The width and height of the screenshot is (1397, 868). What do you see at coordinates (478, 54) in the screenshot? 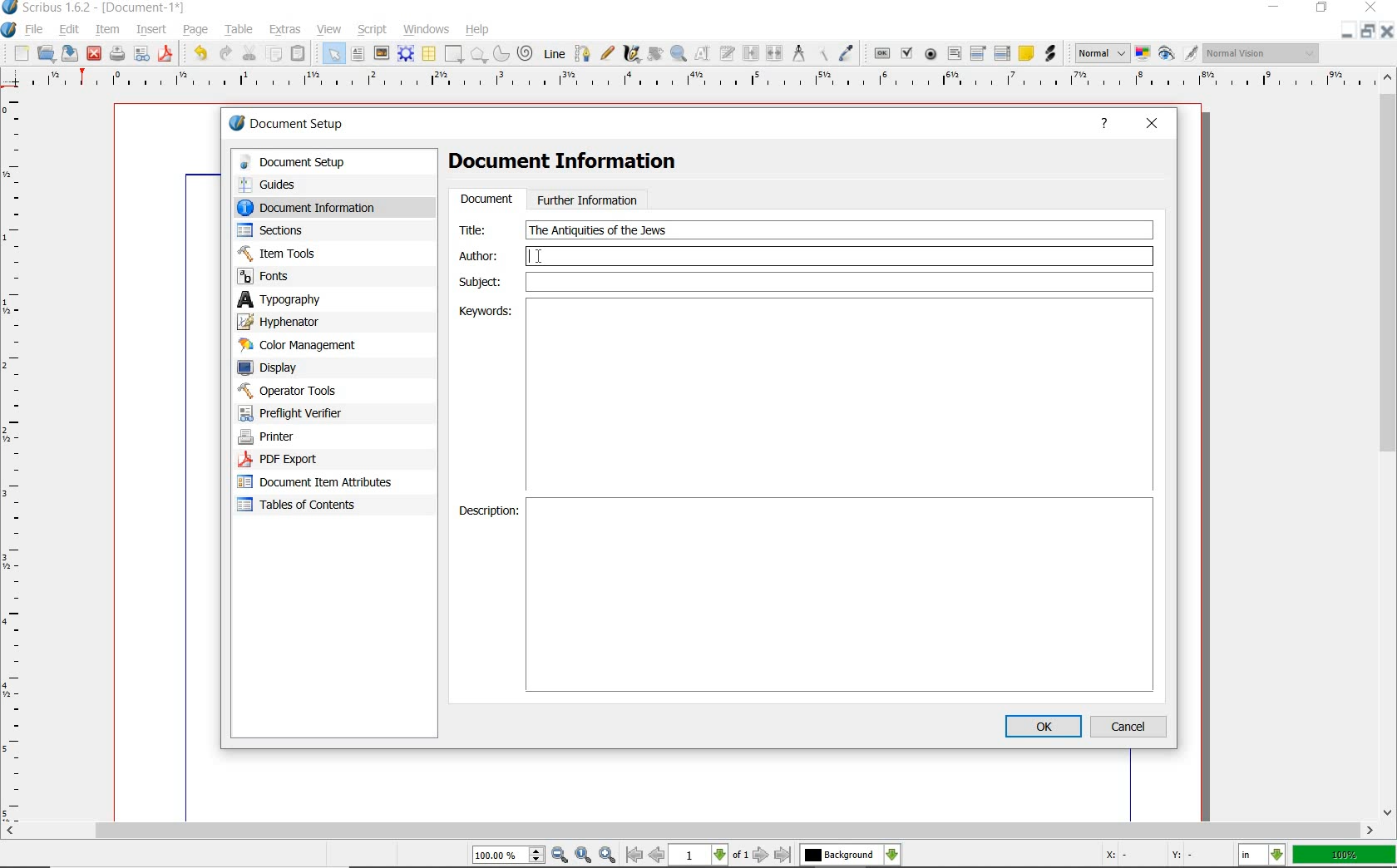
I see `shape` at bounding box center [478, 54].